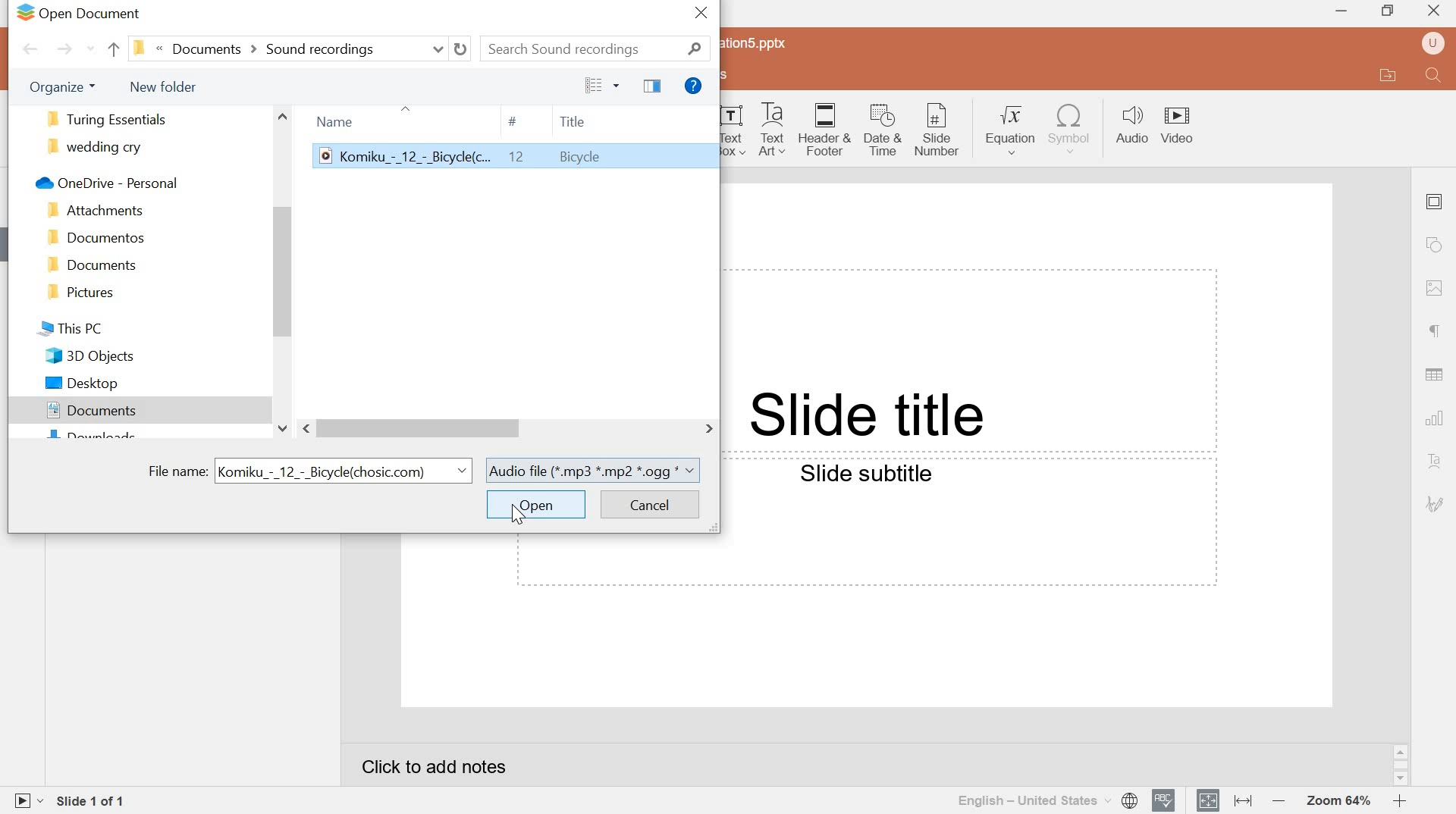  I want to click on dropdown, so click(460, 471).